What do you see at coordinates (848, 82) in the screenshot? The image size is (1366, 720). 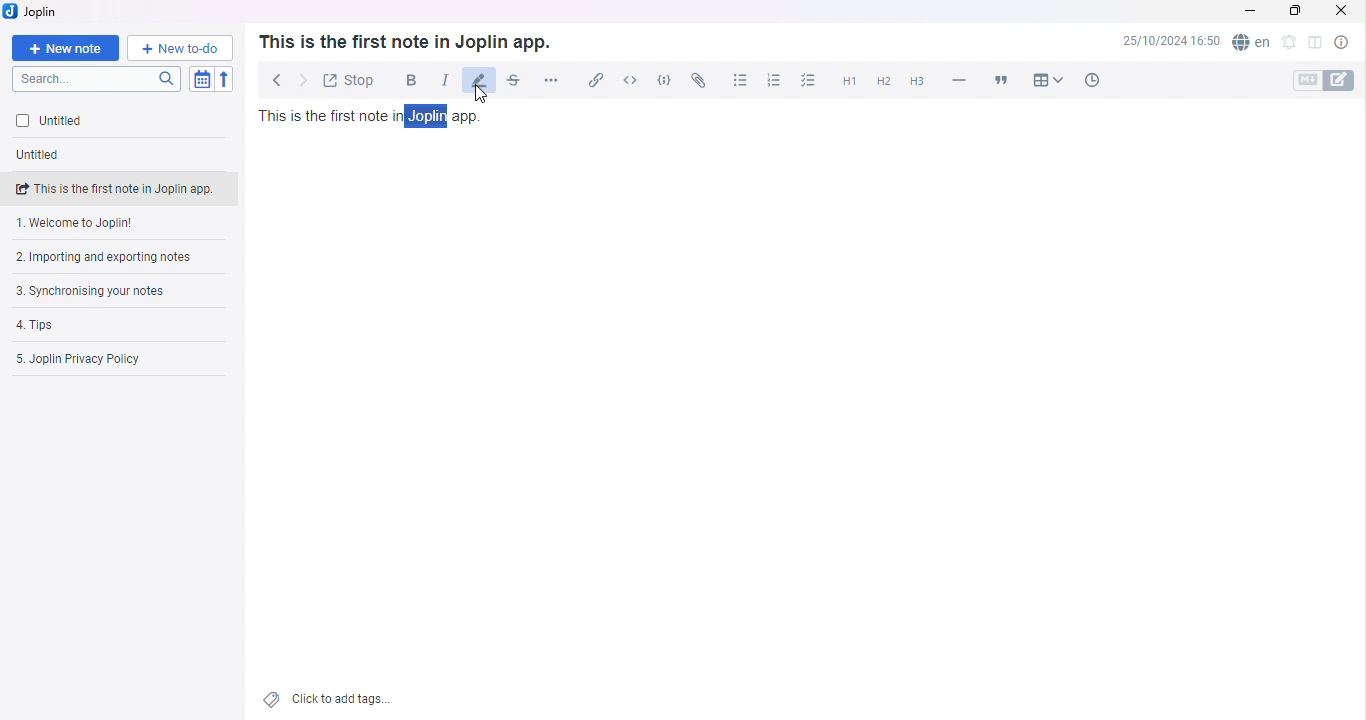 I see `Heading 1` at bounding box center [848, 82].